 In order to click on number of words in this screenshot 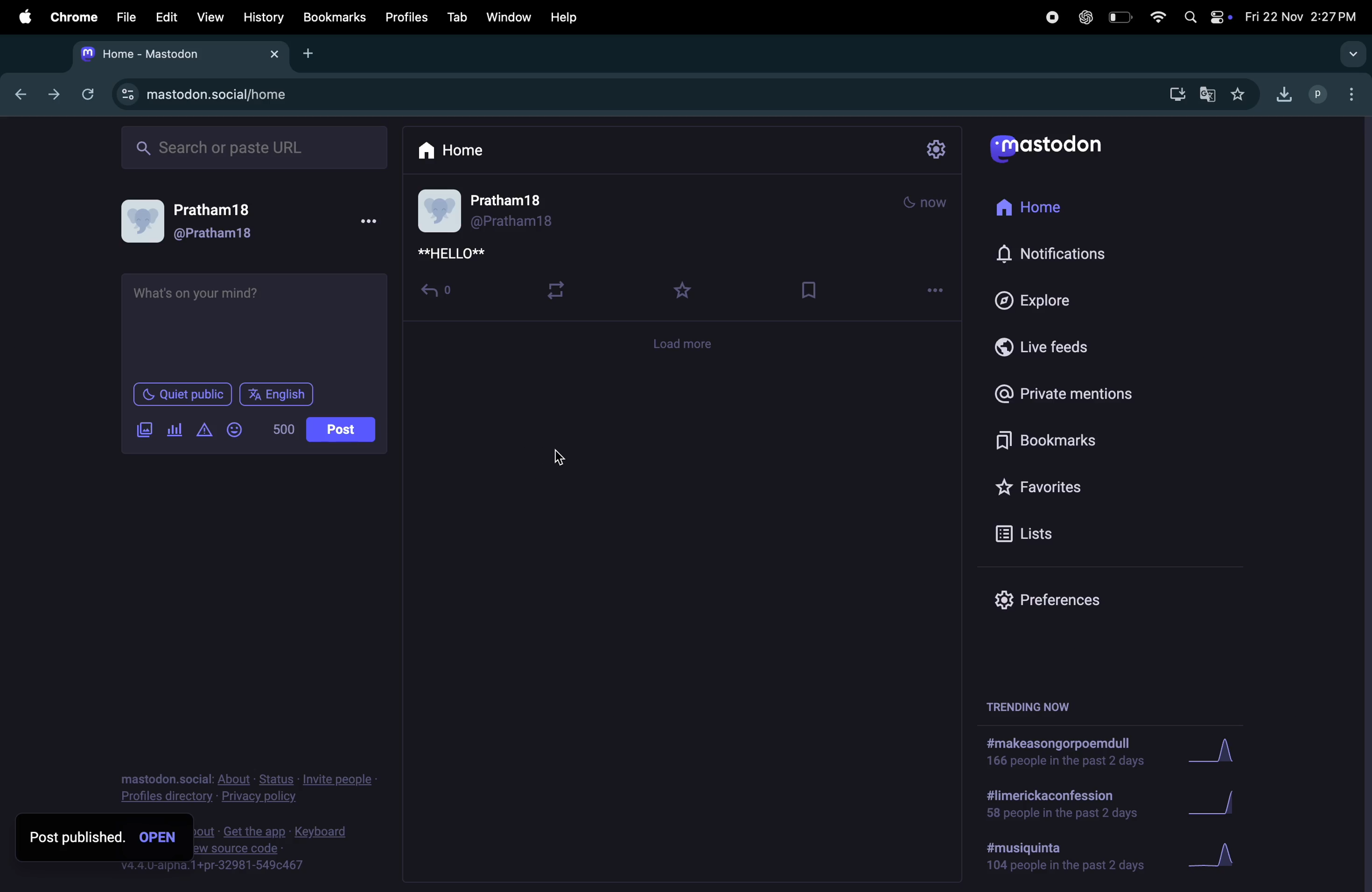, I will do `click(278, 430)`.